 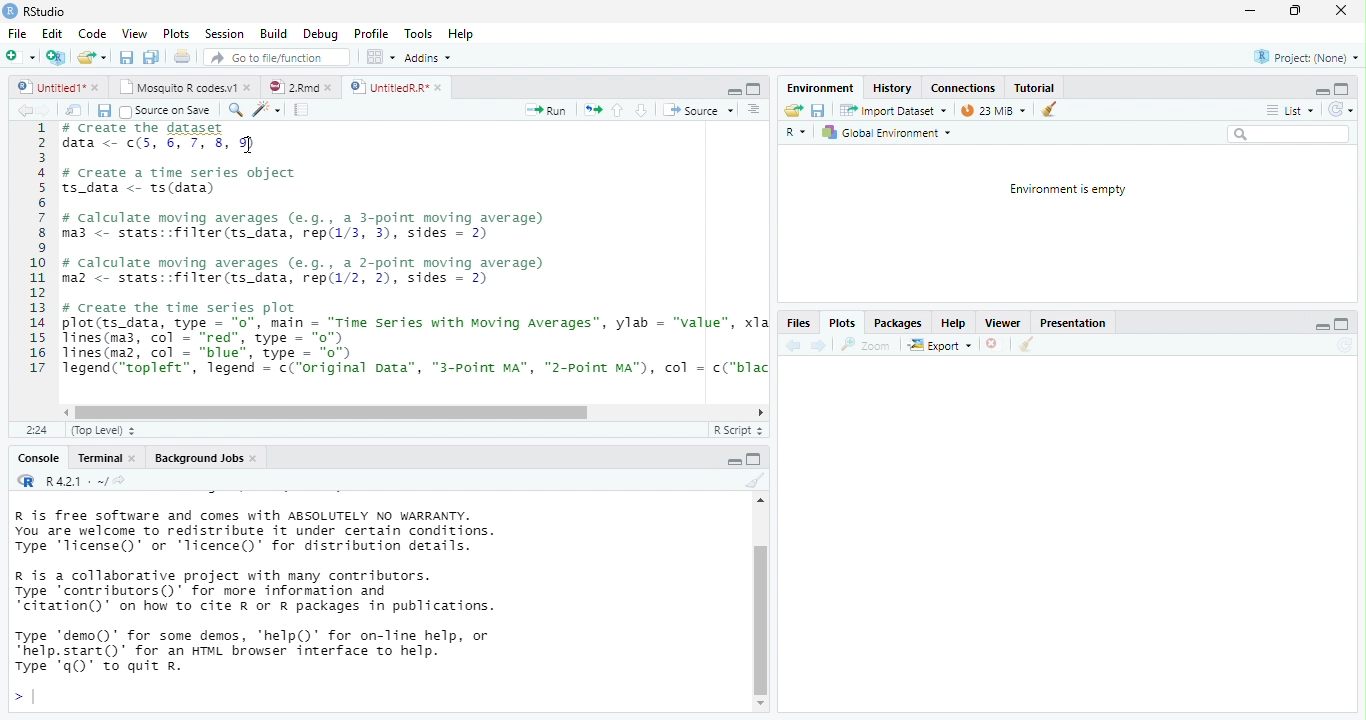 What do you see at coordinates (869, 345) in the screenshot?
I see `zoom` at bounding box center [869, 345].